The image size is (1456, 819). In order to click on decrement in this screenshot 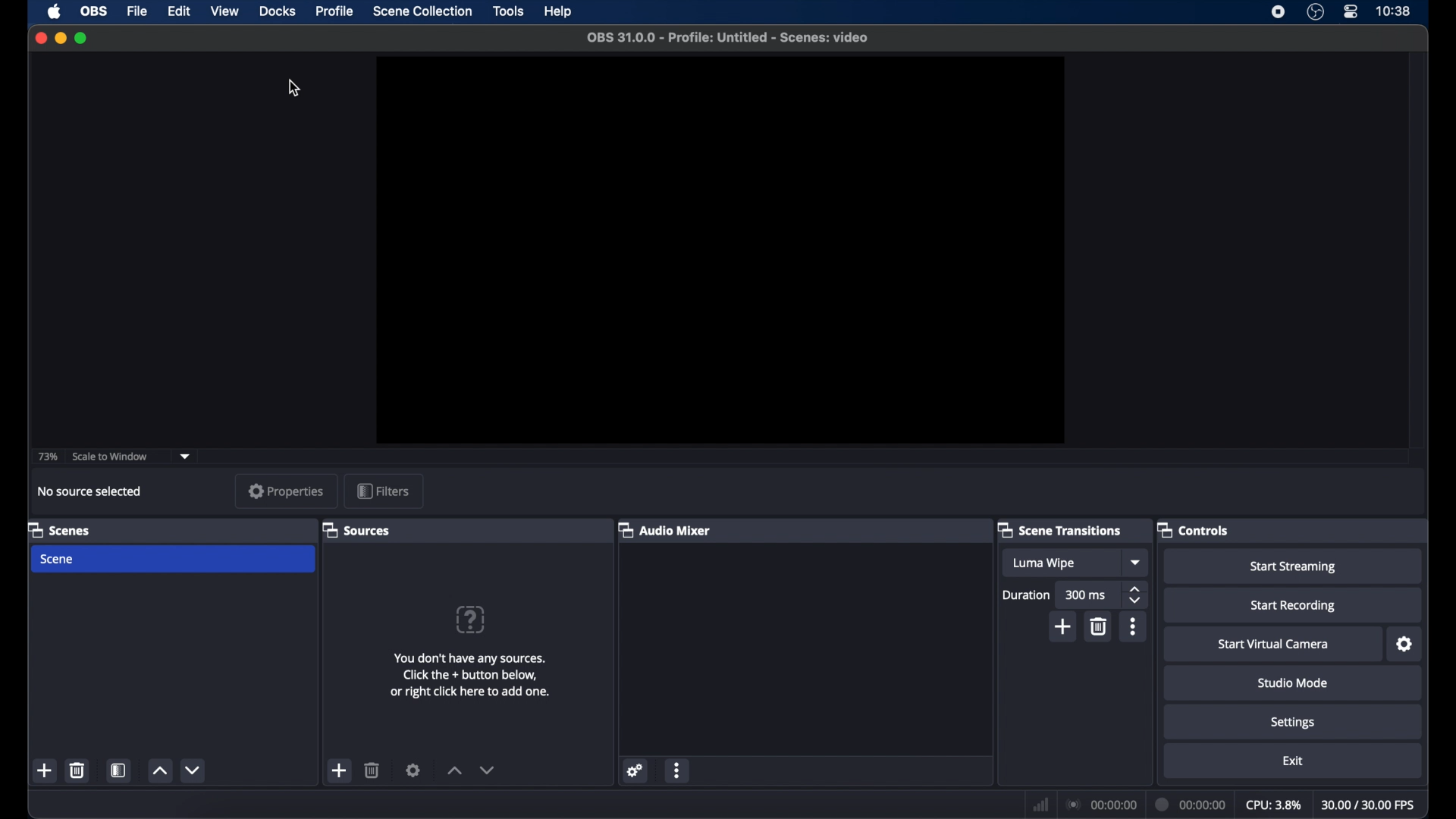, I will do `click(194, 770)`.